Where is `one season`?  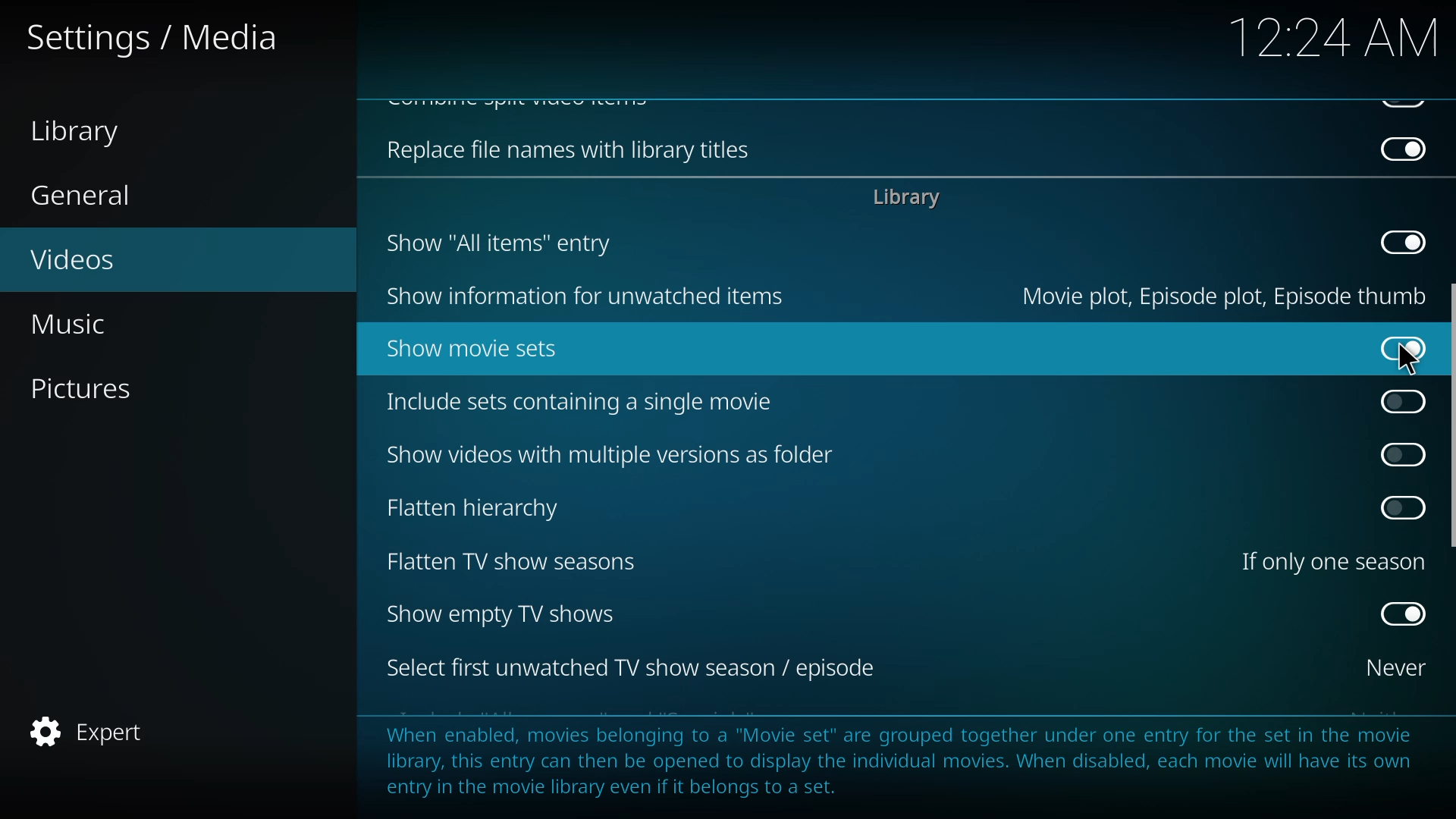
one season is located at coordinates (1332, 560).